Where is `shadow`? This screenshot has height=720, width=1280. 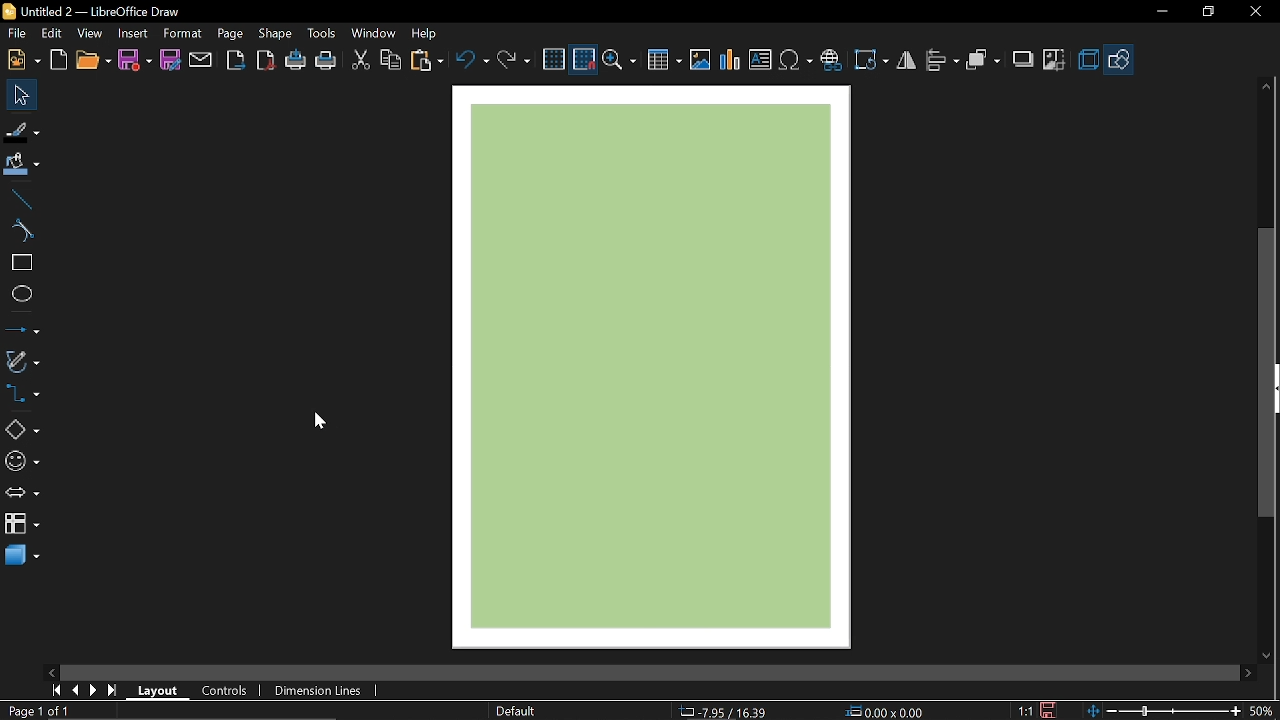
shadow is located at coordinates (1022, 59).